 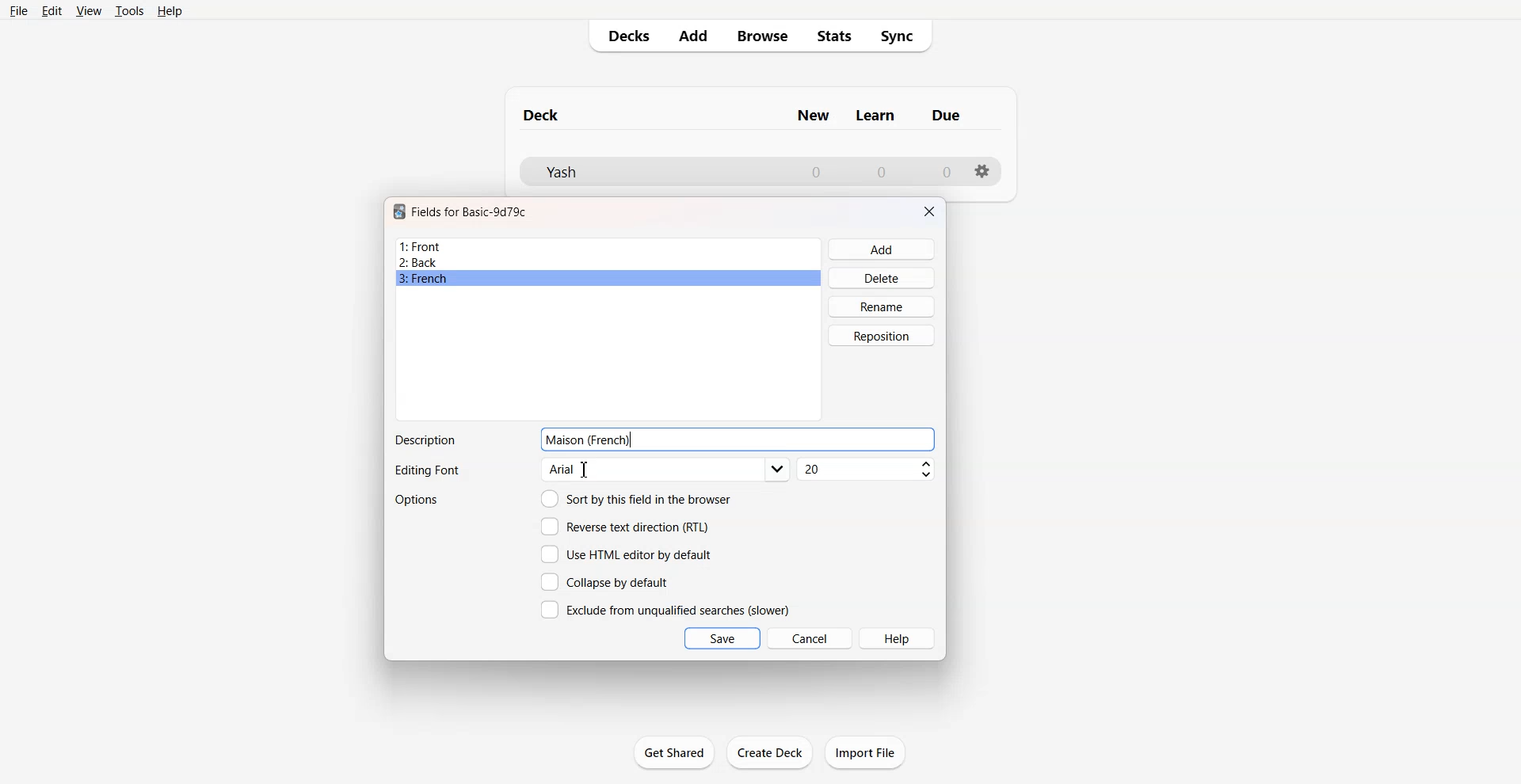 I want to click on Add, so click(x=882, y=249).